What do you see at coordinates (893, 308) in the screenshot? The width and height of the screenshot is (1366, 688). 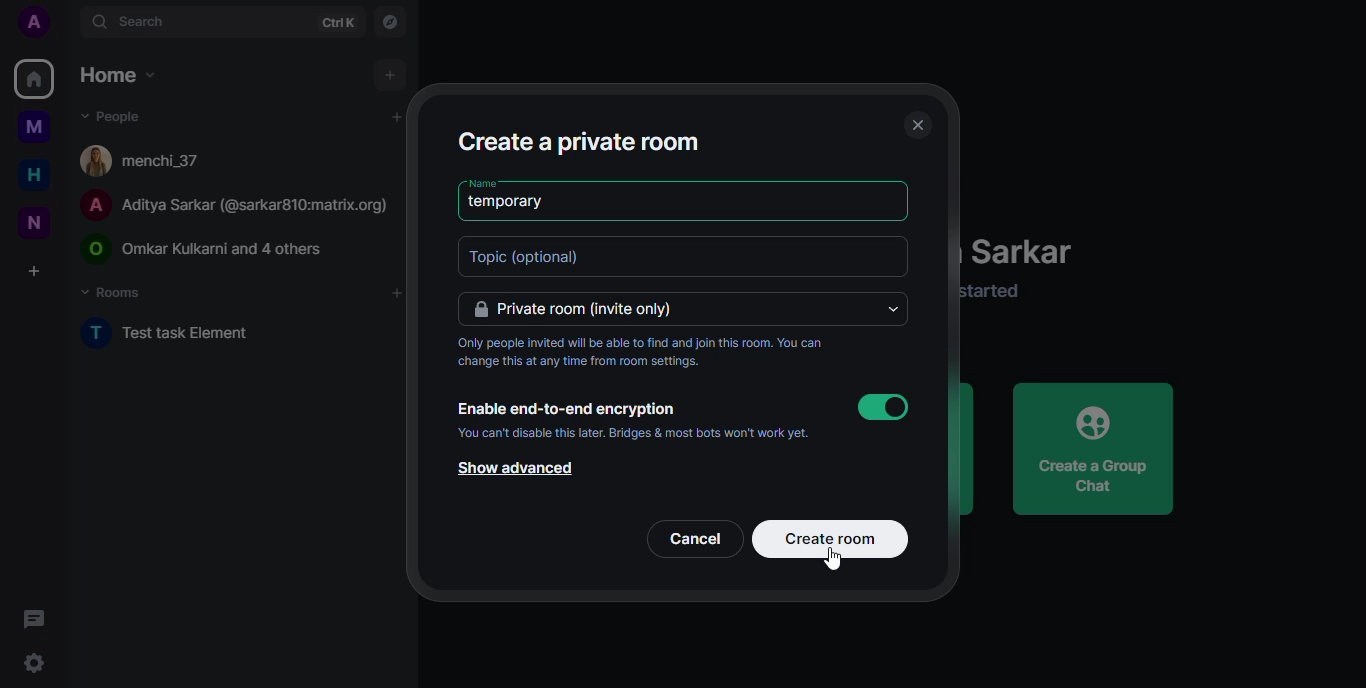 I see `drop down` at bounding box center [893, 308].